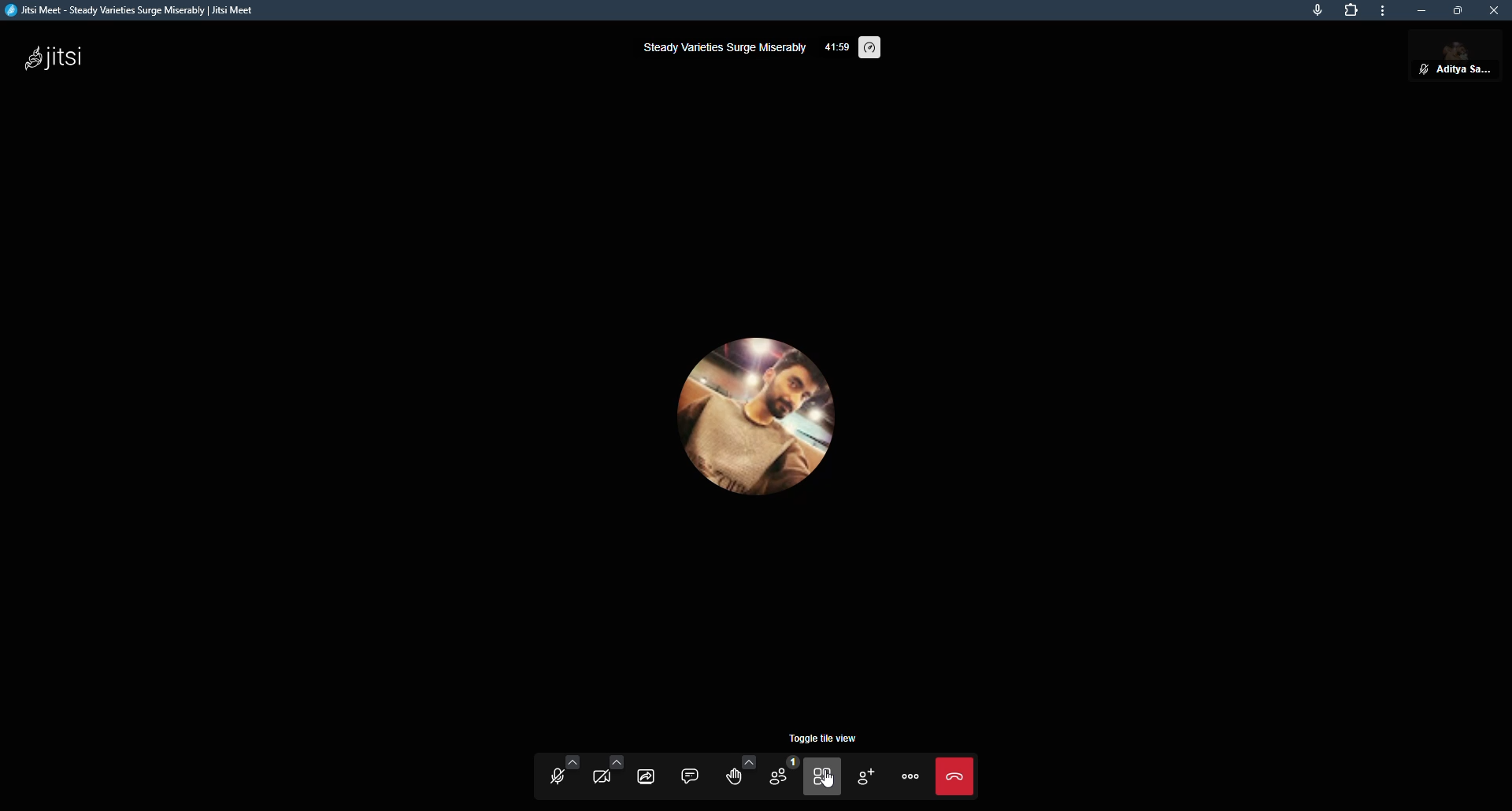 The height and width of the screenshot is (811, 1512). What do you see at coordinates (1320, 11) in the screenshot?
I see `mic` at bounding box center [1320, 11].